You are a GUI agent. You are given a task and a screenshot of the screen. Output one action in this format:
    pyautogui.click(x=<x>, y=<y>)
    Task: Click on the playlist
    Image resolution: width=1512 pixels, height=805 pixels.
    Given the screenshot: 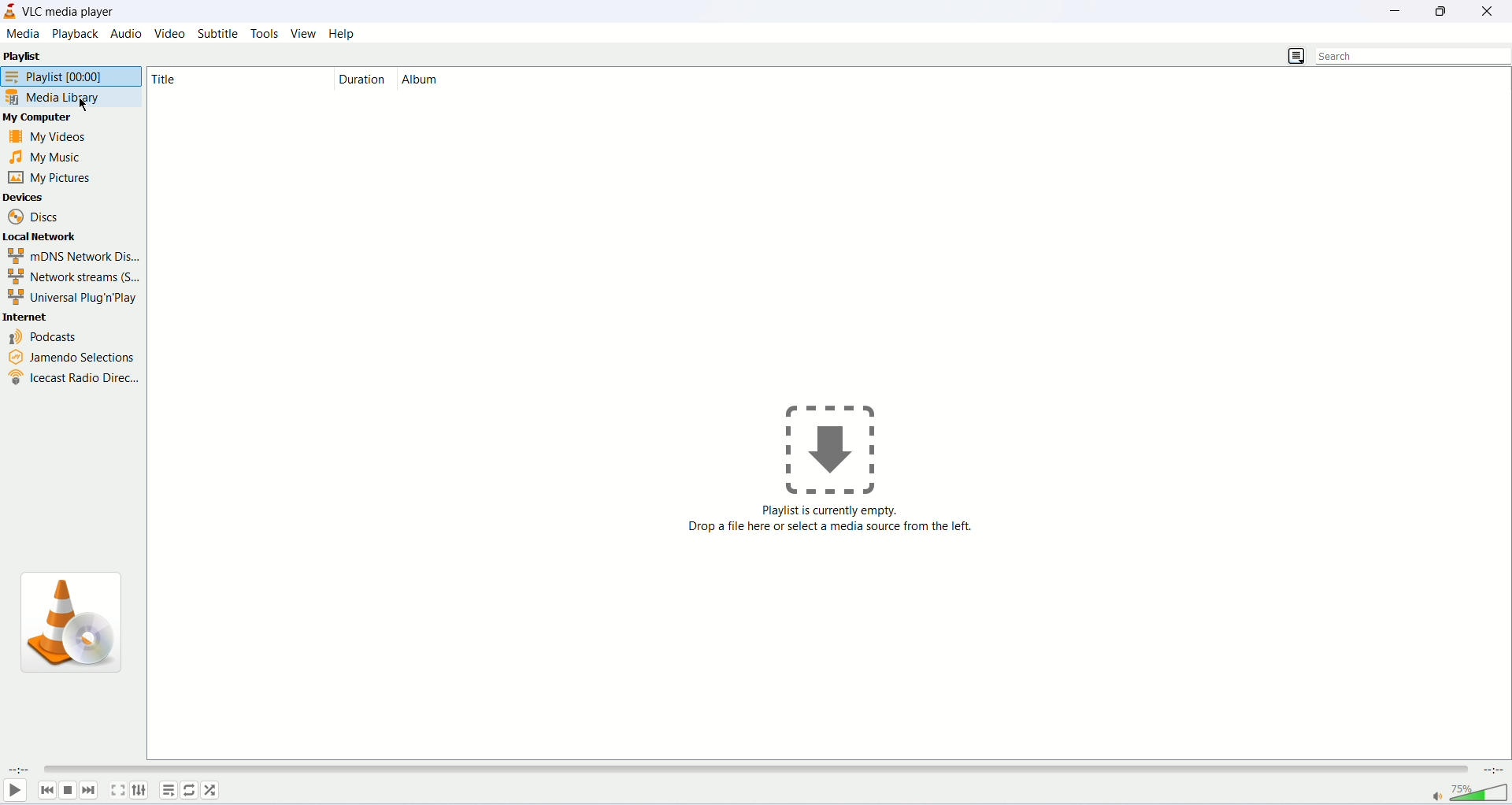 What is the action you would take?
    pyautogui.click(x=167, y=789)
    